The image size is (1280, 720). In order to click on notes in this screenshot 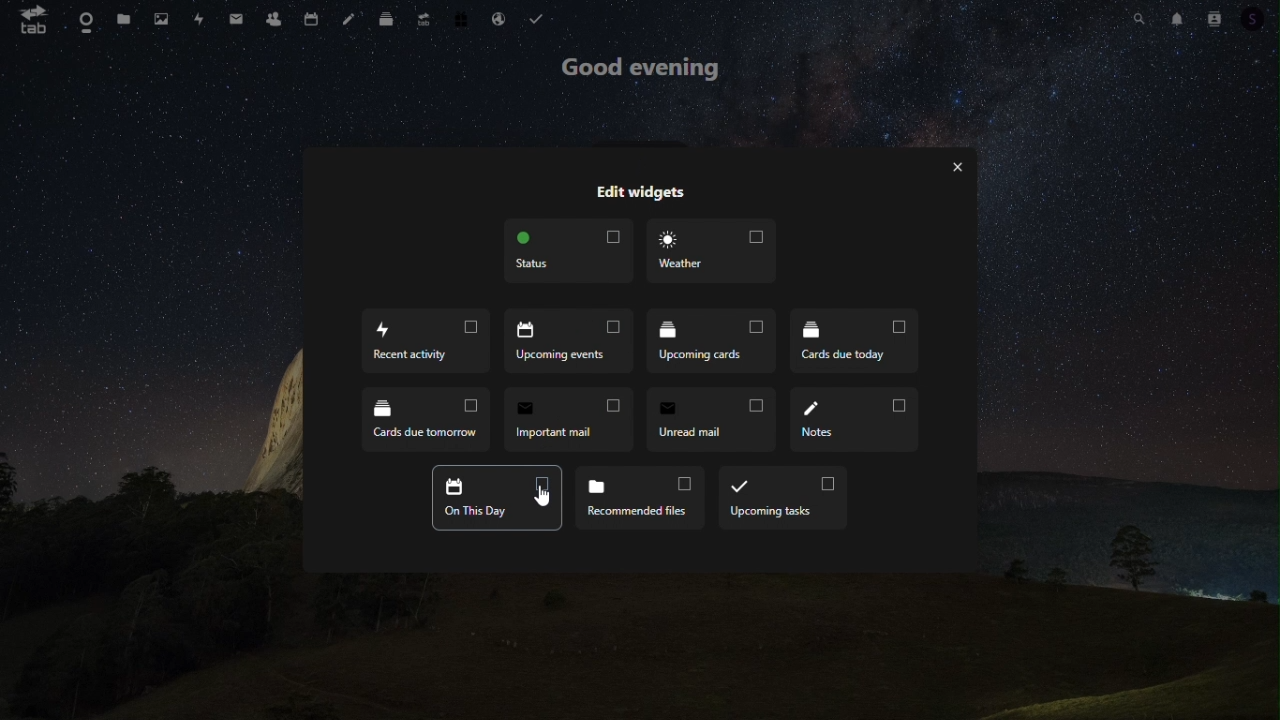, I will do `click(348, 18)`.